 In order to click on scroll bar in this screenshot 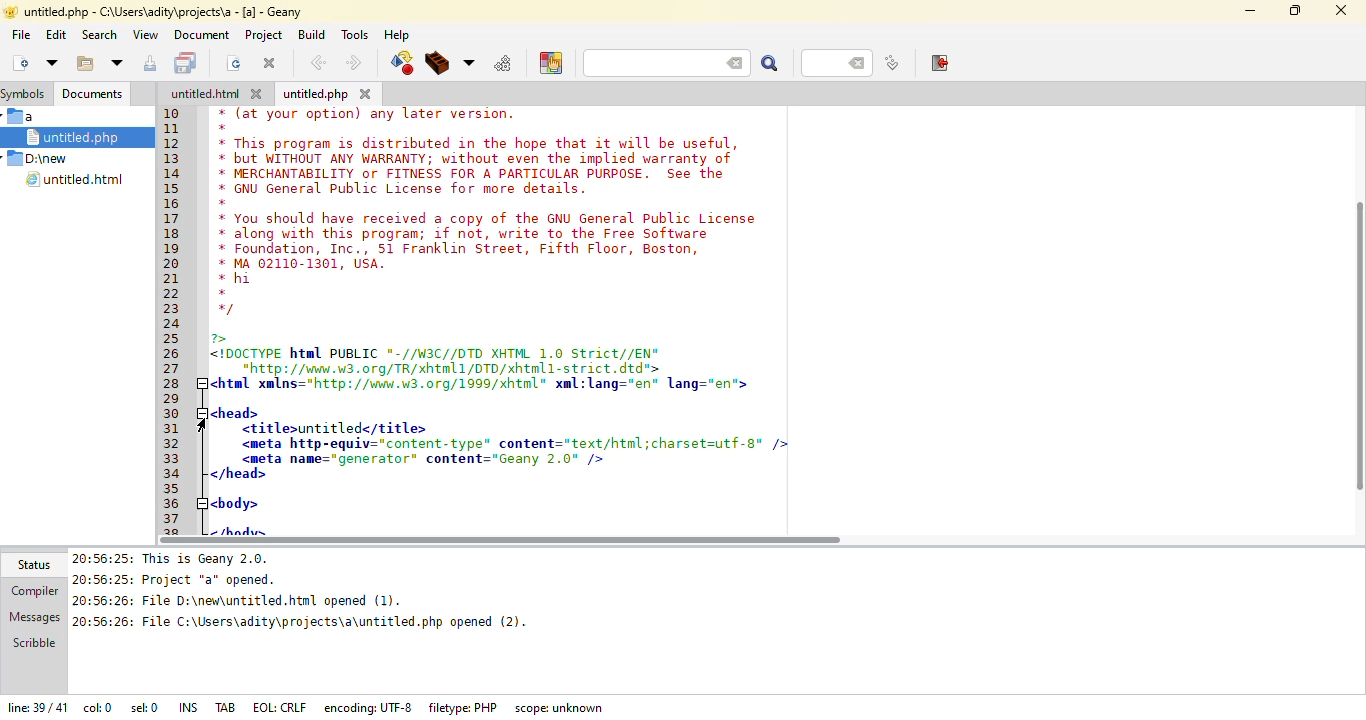, I will do `click(505, 540)`.